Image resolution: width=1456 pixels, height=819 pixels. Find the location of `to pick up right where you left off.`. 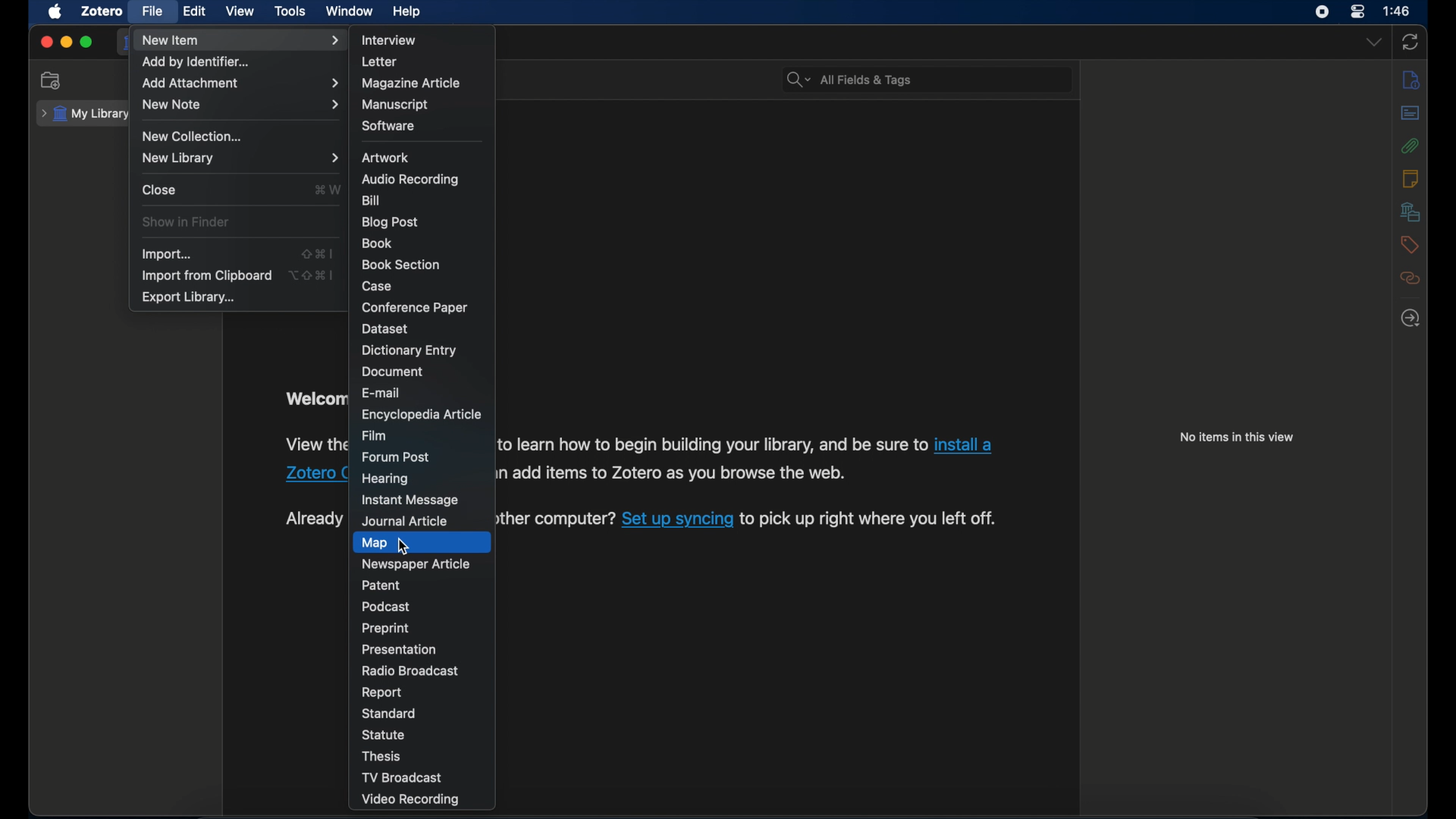

to pick up right where you left off. is located at coordinates (869, 520).